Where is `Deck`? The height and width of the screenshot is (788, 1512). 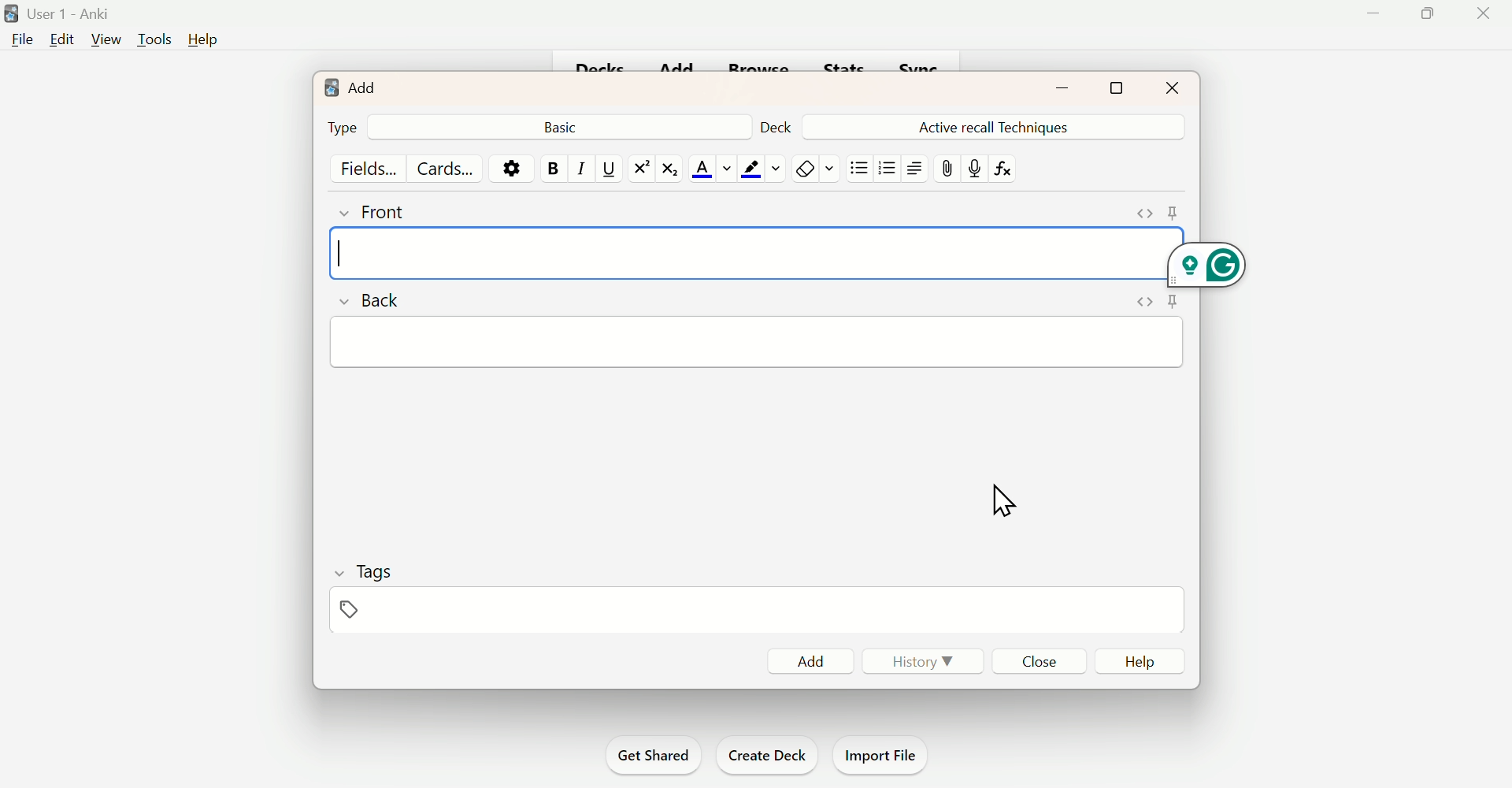
Deck is located at coordinates (773, 124).